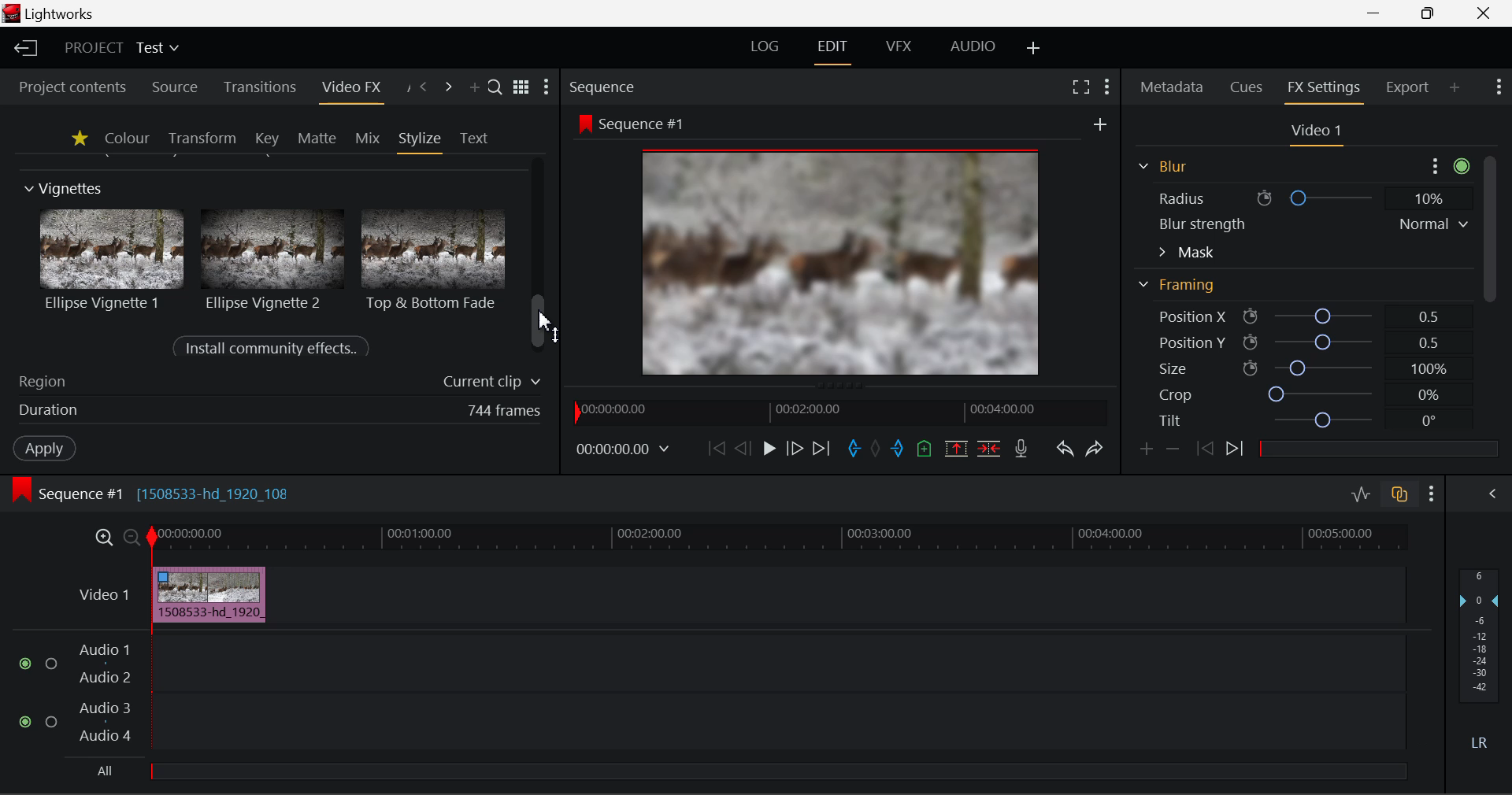 The height and width of the screenshot is (795, 1512). Describe the element at coordinates (1296, 342) in the screenshot. I see `Position Y` at that location.